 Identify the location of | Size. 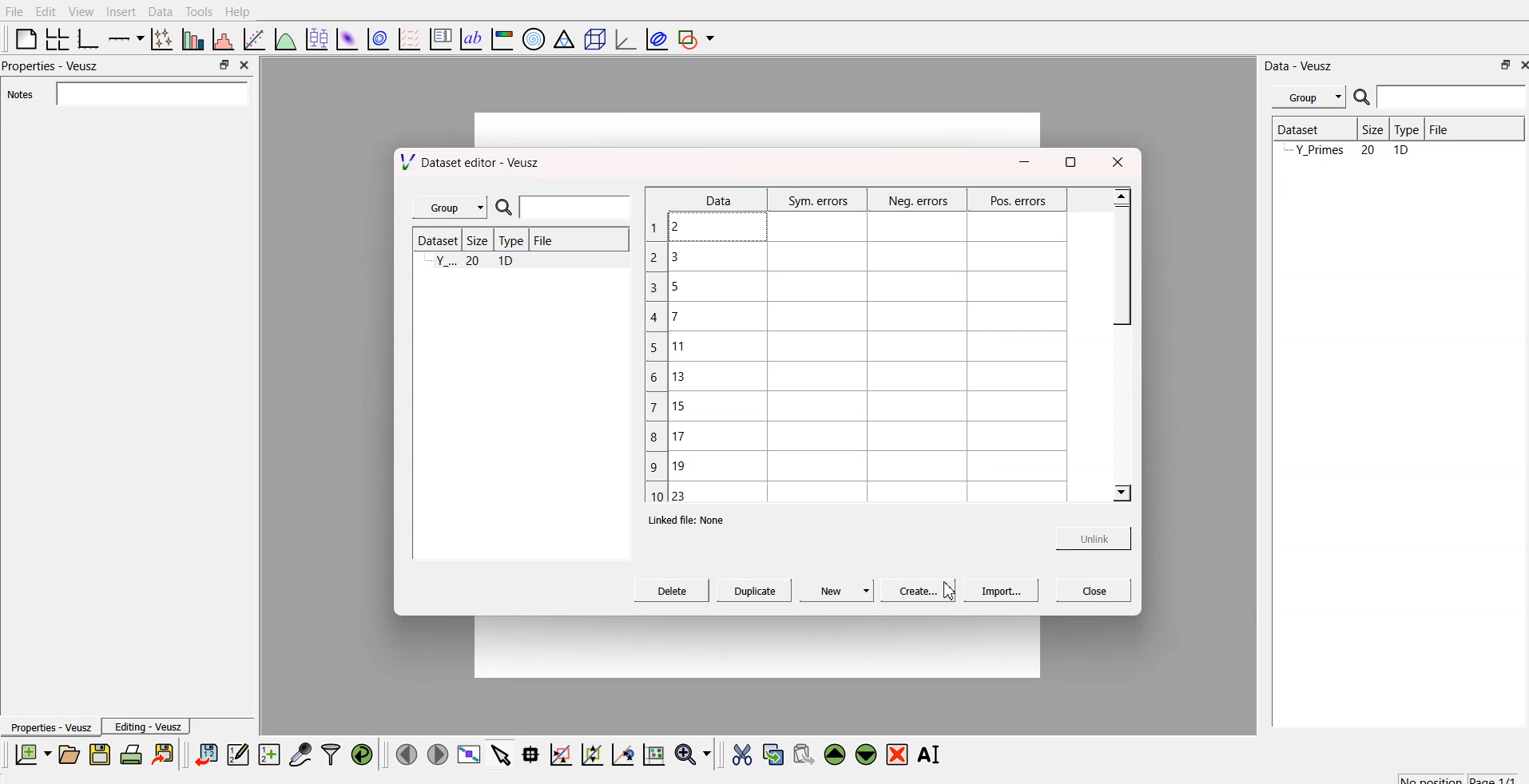
(1369, 129).